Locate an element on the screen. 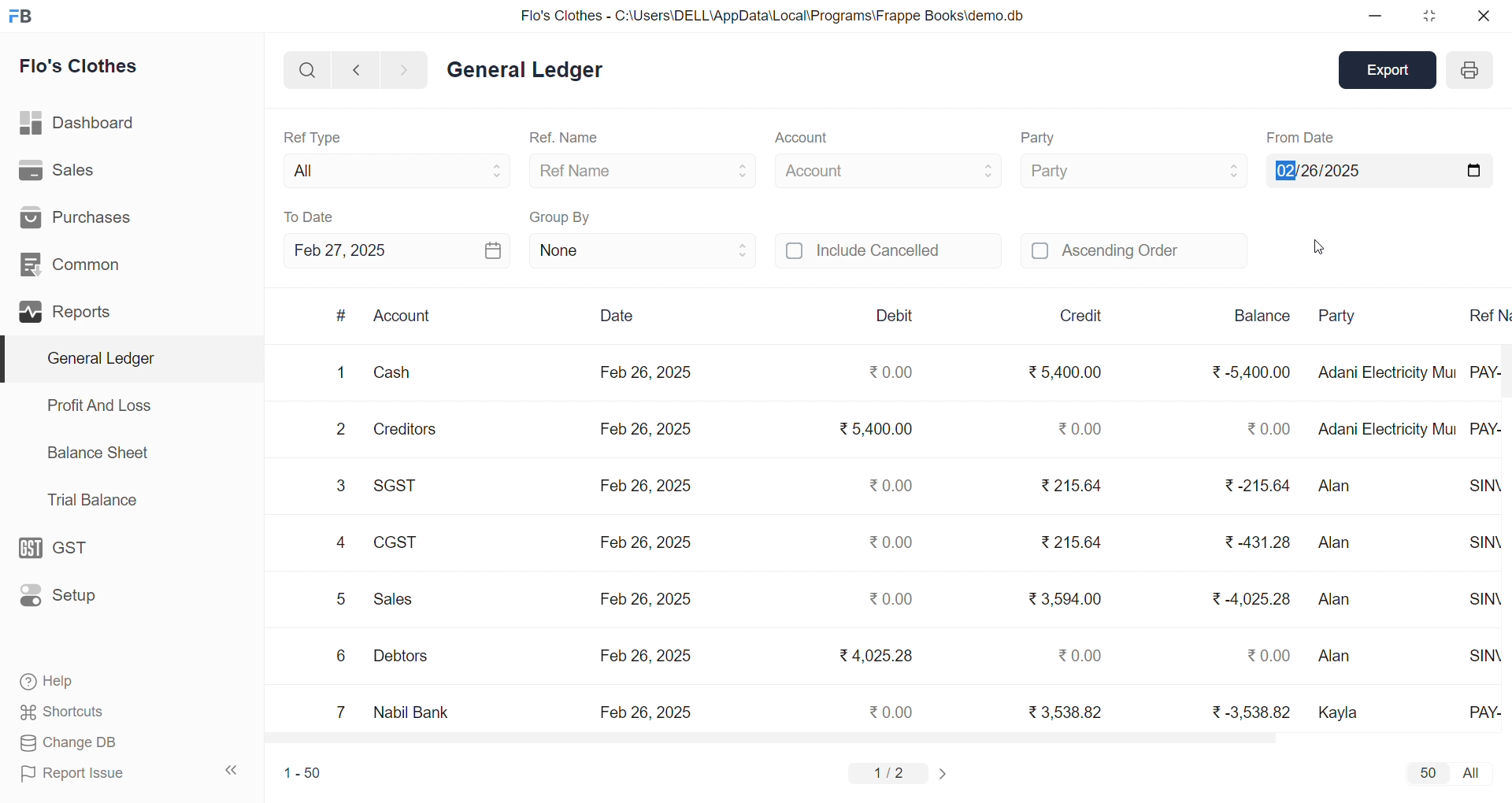 This screenshot has height=803, width=1512. Feb 26, 2025 is located at coordinates (646, 712).